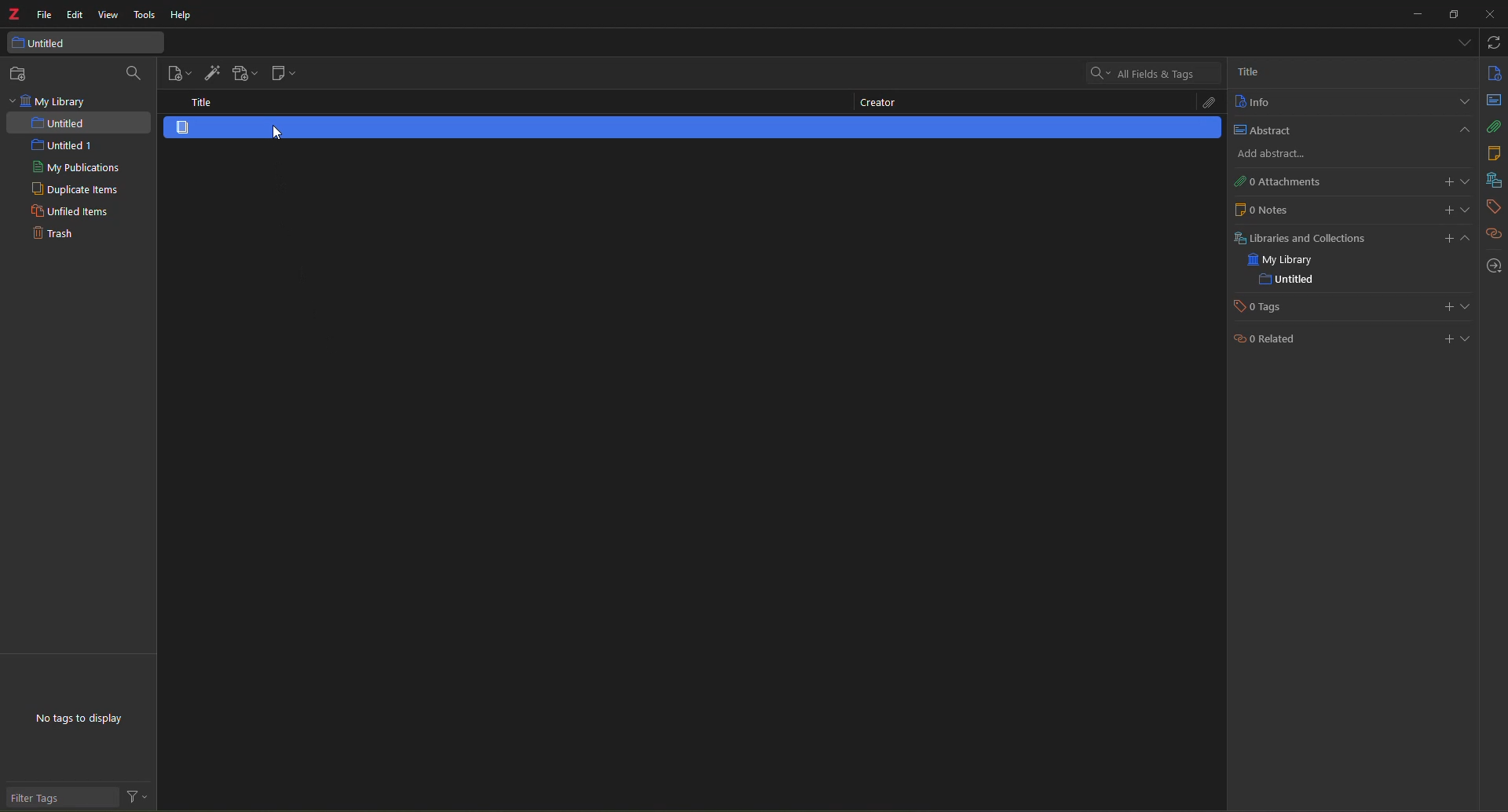  What do you see at coordinates (60, 123) in the screenshot?
I see `untitled` at bounding box center [60, 123].